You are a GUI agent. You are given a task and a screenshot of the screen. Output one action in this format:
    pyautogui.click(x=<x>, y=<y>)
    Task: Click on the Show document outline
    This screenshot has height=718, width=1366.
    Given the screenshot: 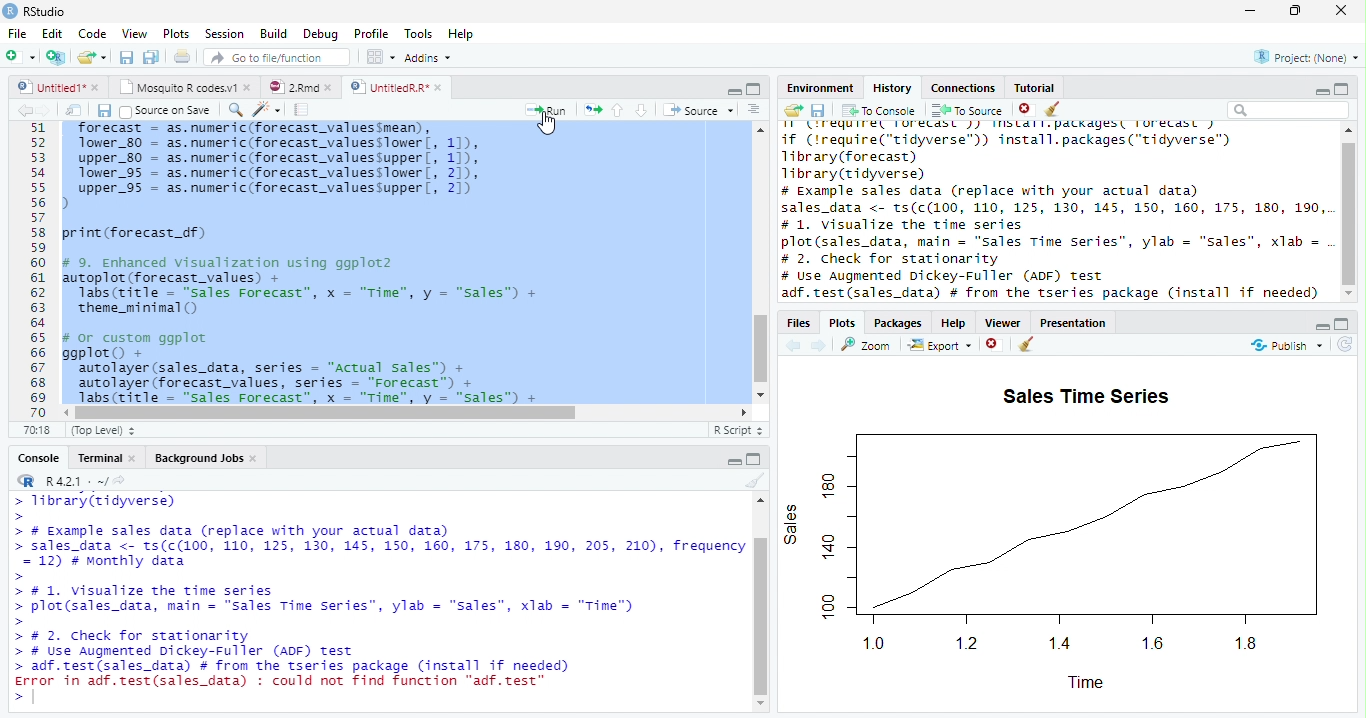 What is the action you would take?
    pyautogui.click(x=754, y=111)
    